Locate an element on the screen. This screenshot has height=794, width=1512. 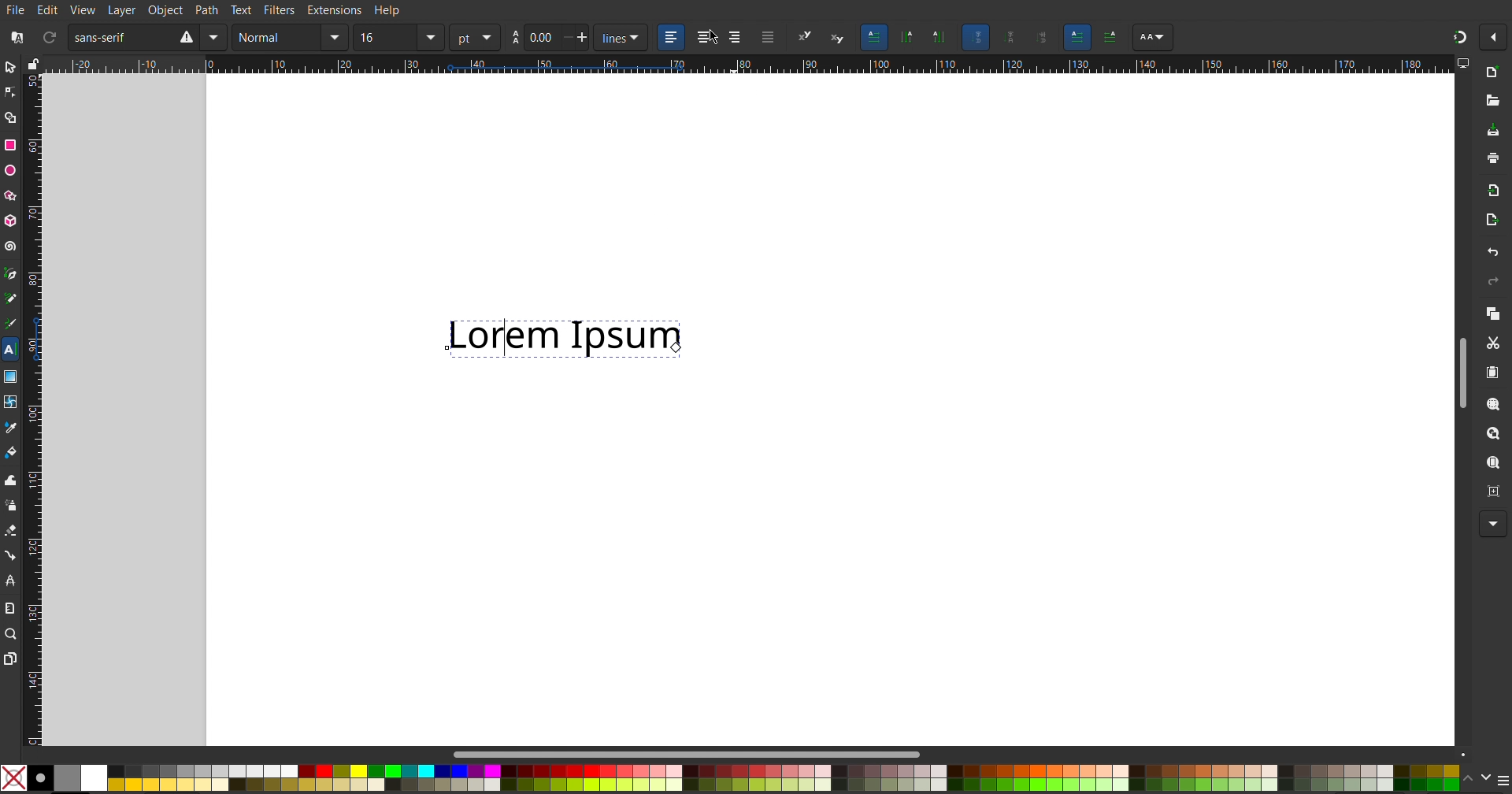
Object is located at coordinates (167, 11).